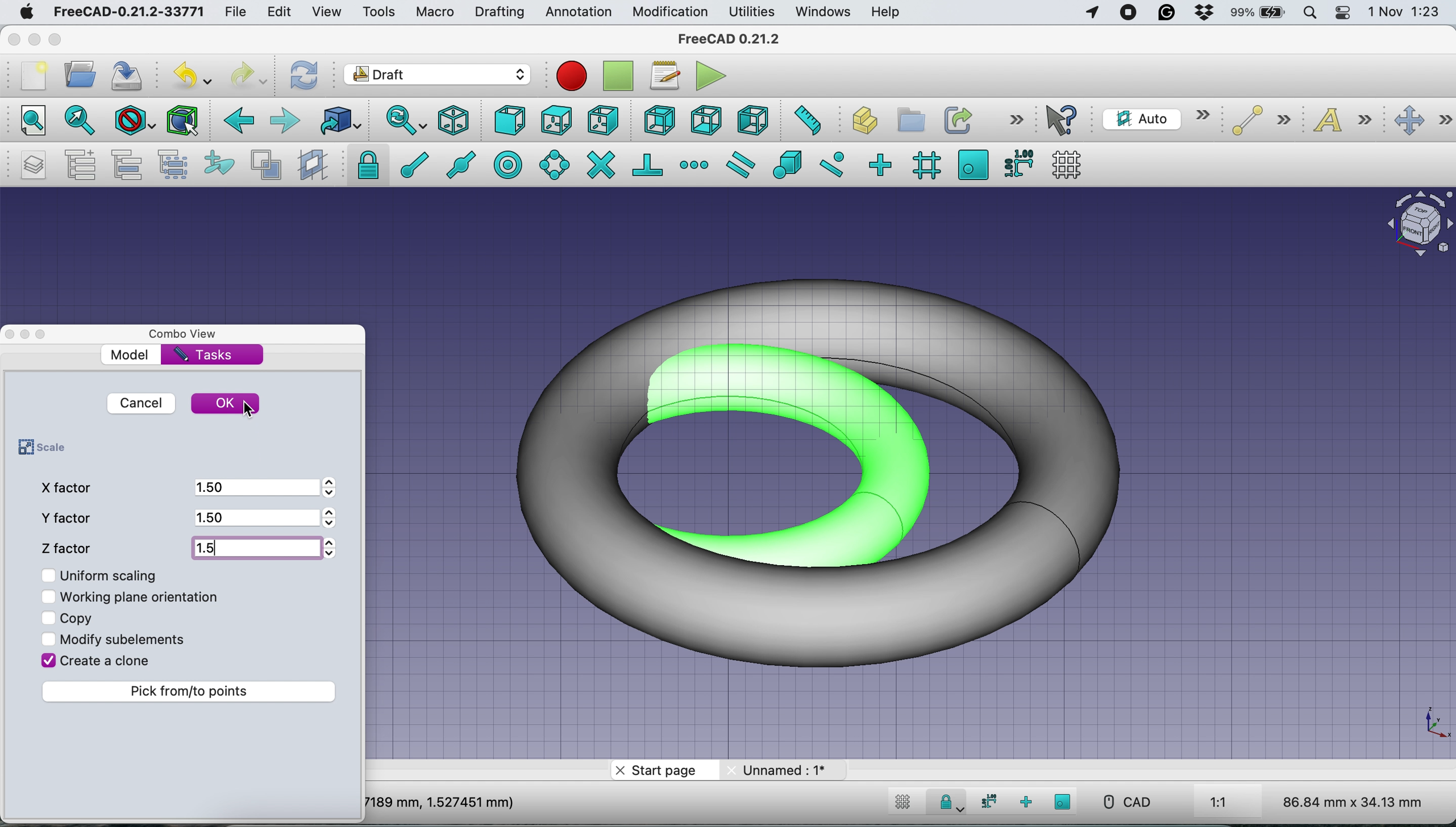  Describe the element at coordinates (744, 164) in the screenshot. I see `snap parallel` at that location.